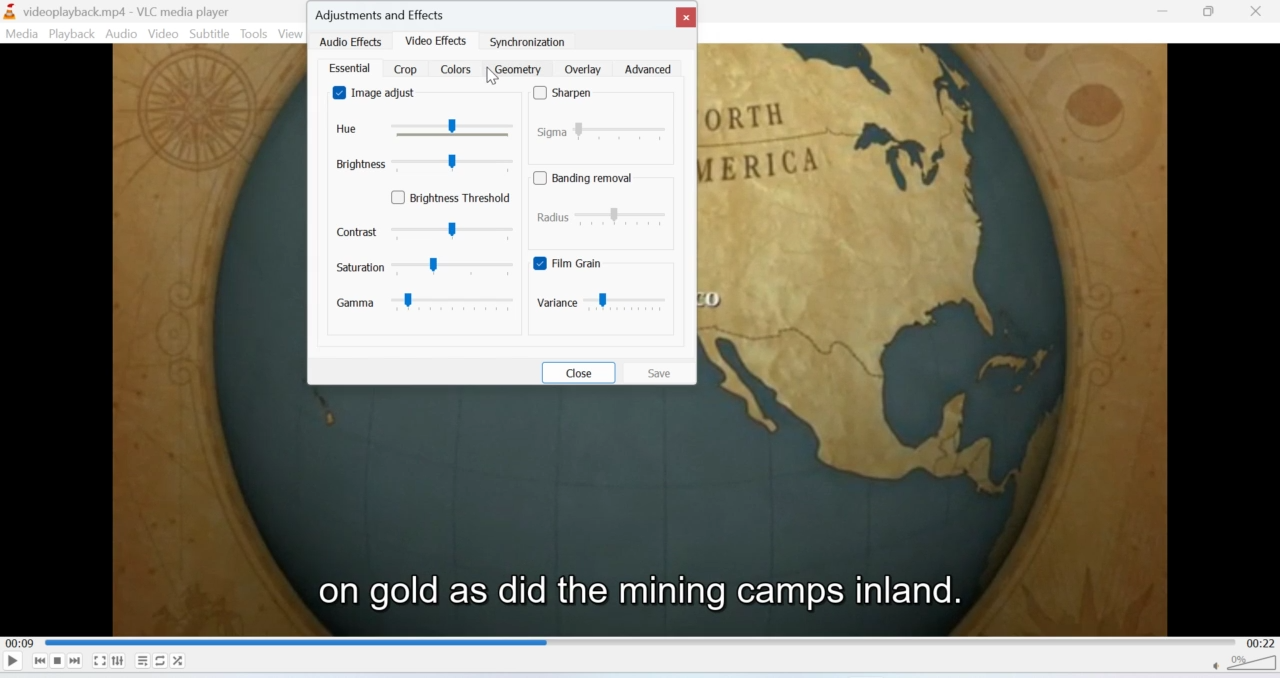 The width and height of the screenshot is (1280, 678). What do you see at coordinates (117, 660) in the screenshot?
I see `Extended settings` at bounding box center [117, 660].